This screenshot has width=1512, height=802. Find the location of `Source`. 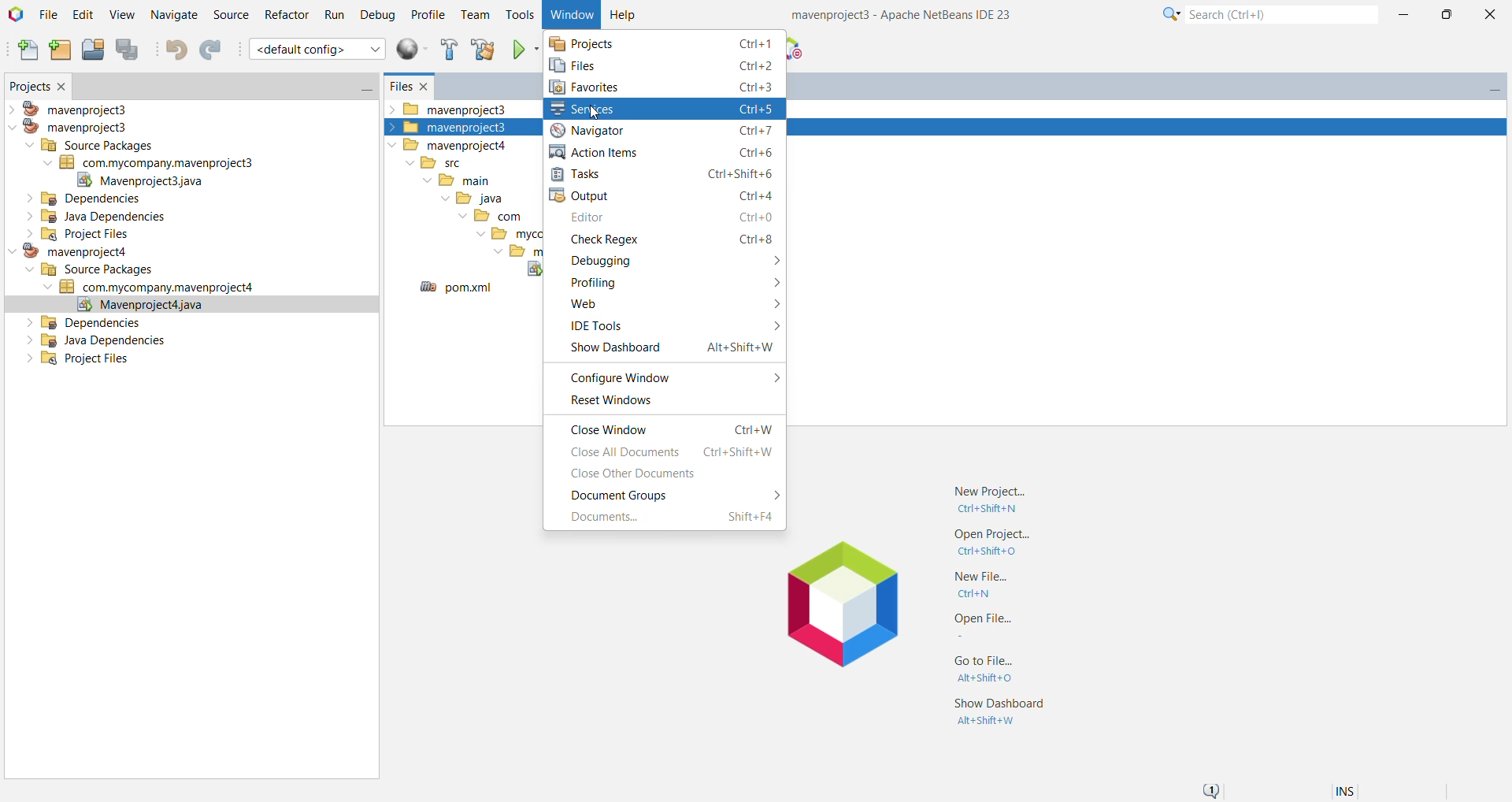

Source is located at coordinates (229, 15).